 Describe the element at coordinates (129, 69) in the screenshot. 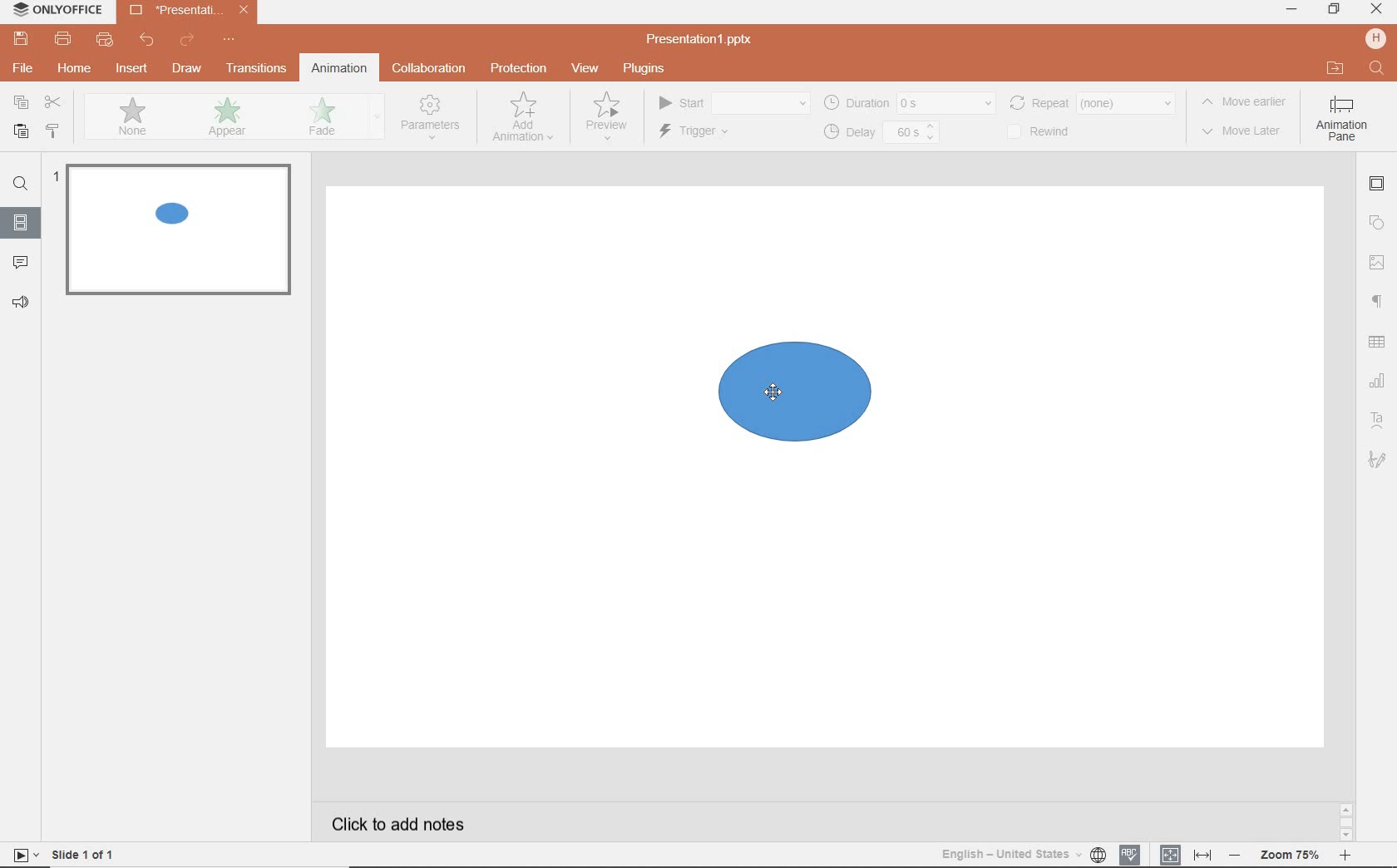

I see `insert` at that location.